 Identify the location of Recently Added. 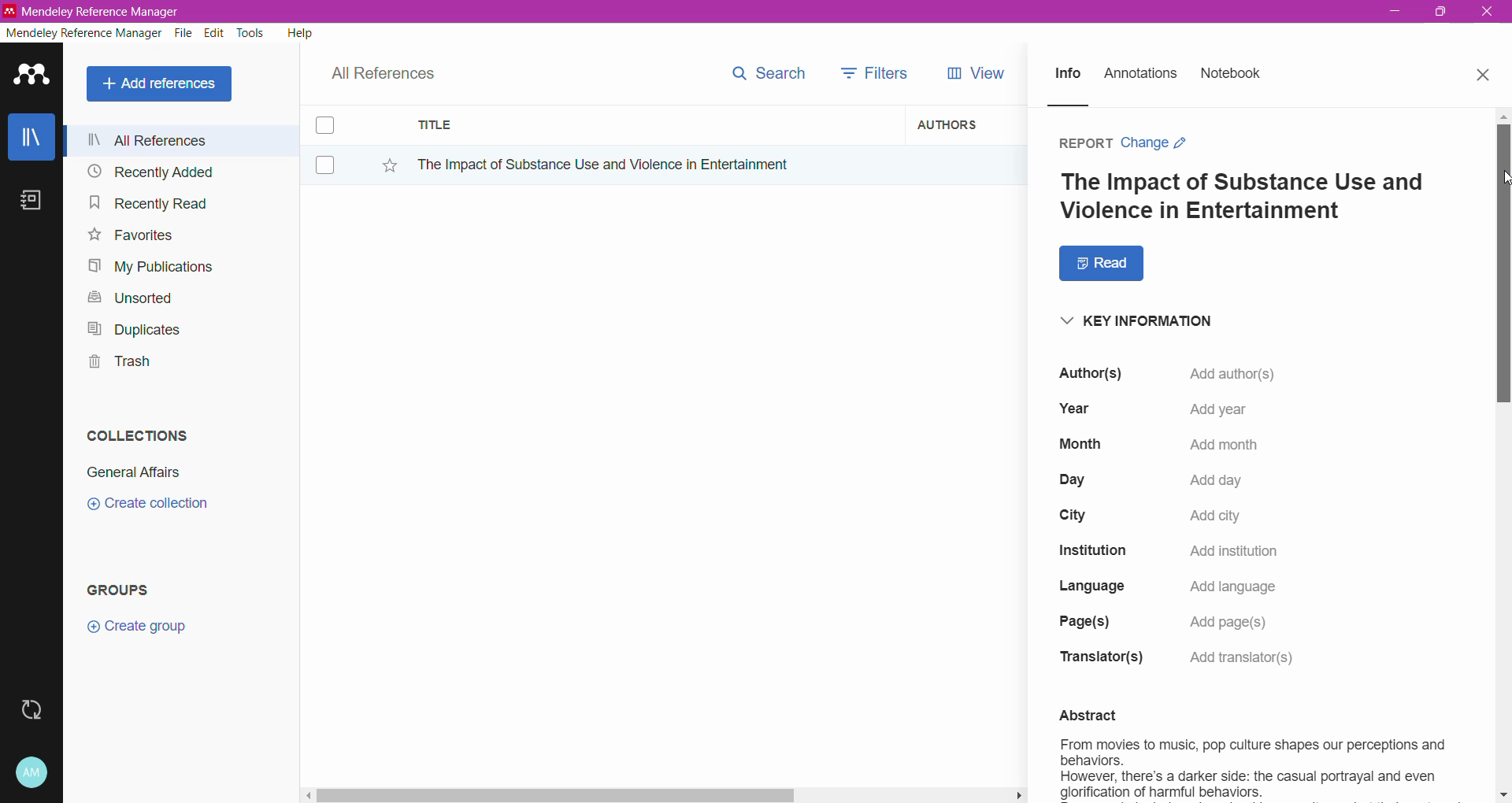
(148, 172).